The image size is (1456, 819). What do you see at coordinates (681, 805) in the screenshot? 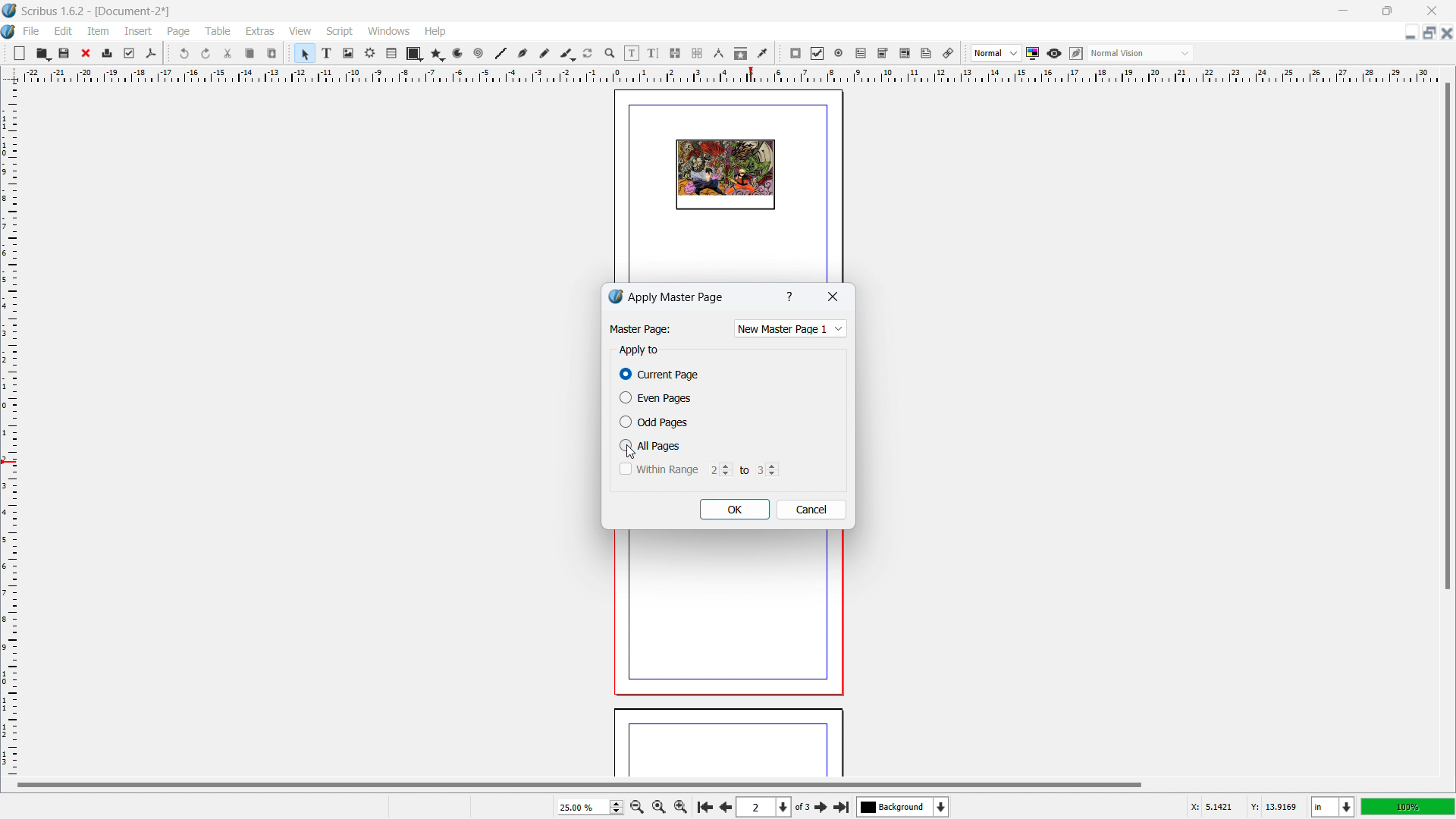
I see `zoom in by the stepping value in tool preference` at bounding box center [681, 805].